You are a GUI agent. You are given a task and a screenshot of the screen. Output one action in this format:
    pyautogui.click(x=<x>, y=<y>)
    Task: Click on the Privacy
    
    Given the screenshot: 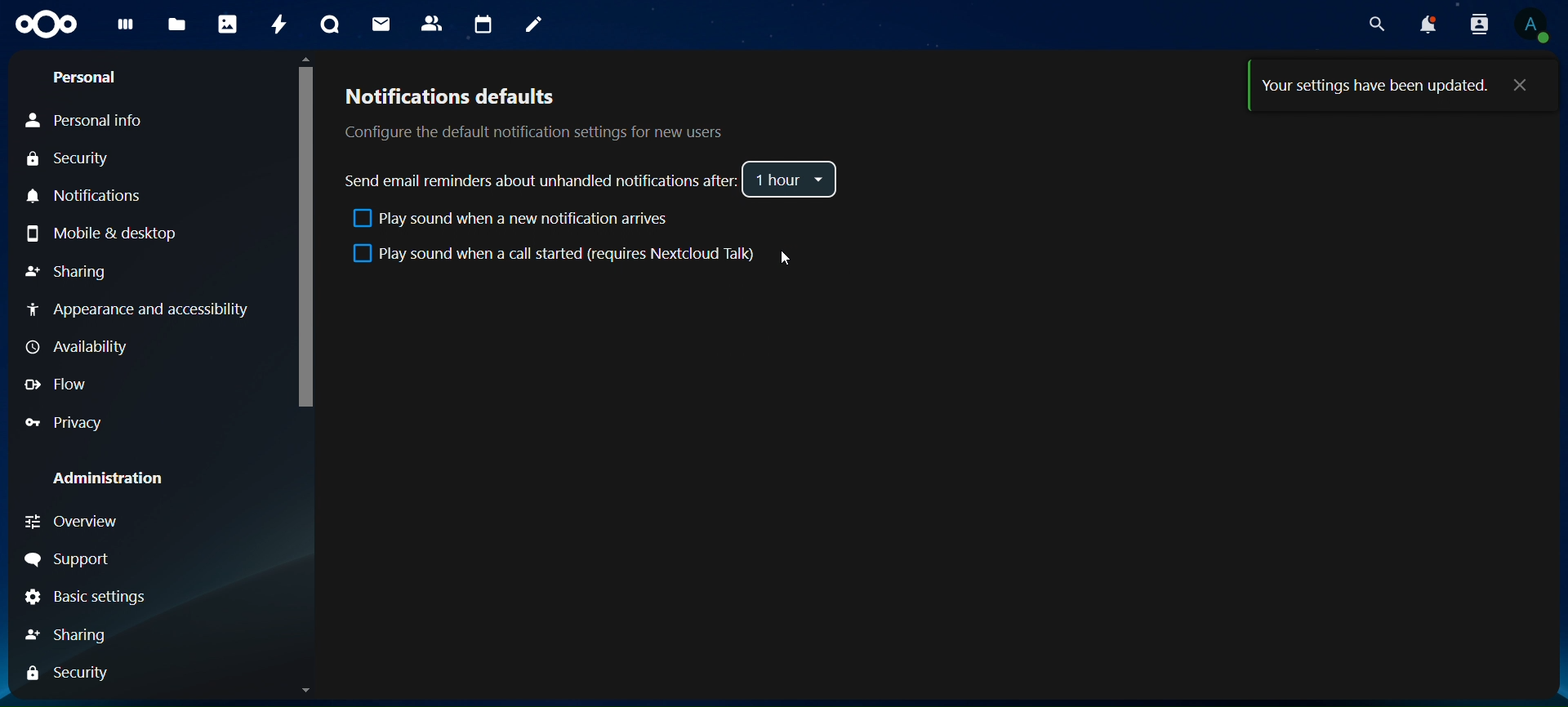 What is the action you would take?
    pyautogui.click(x=62, y=423)
    